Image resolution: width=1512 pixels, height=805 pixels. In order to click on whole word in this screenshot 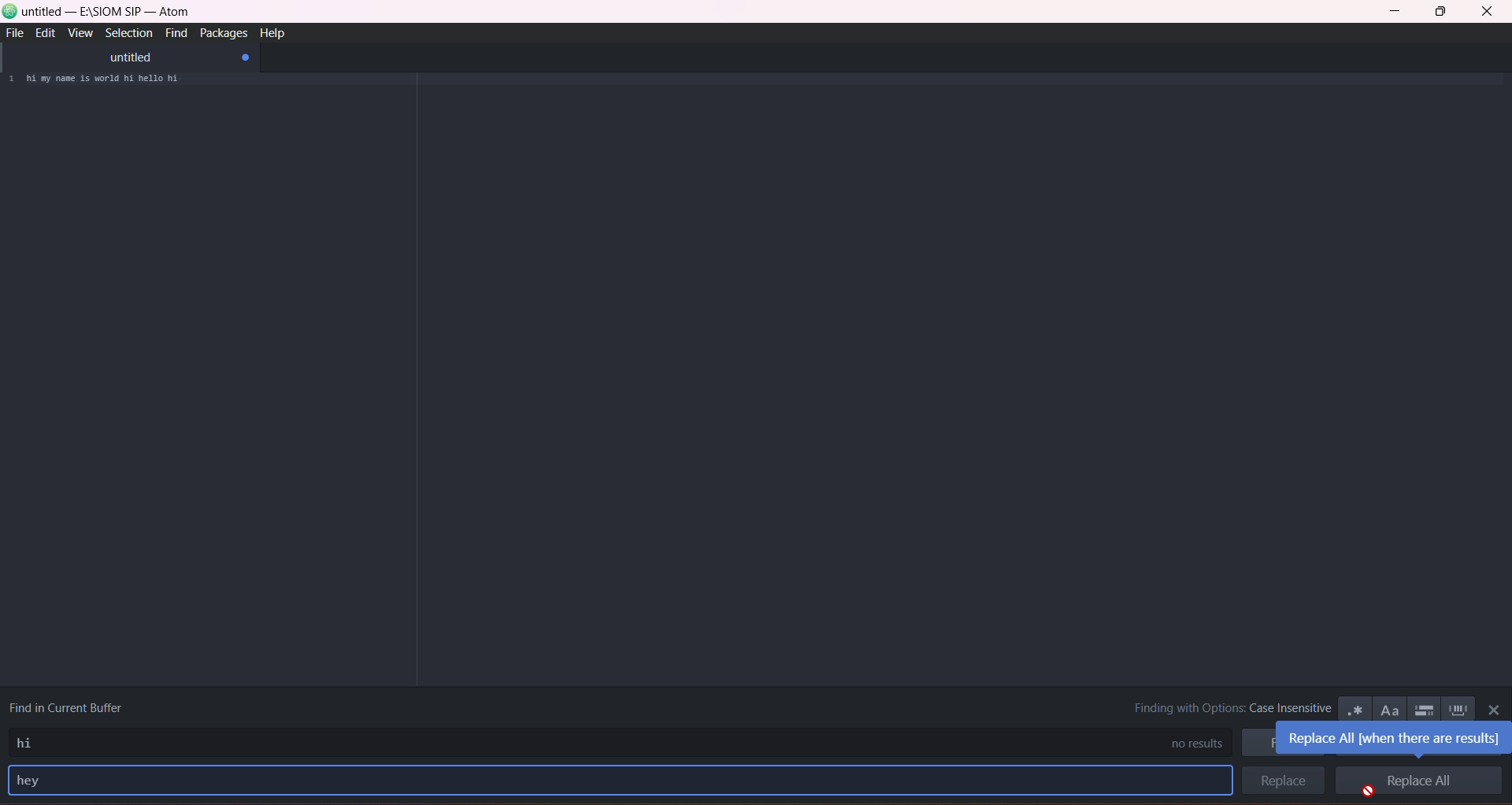, I will do `click(1458, 708)`.